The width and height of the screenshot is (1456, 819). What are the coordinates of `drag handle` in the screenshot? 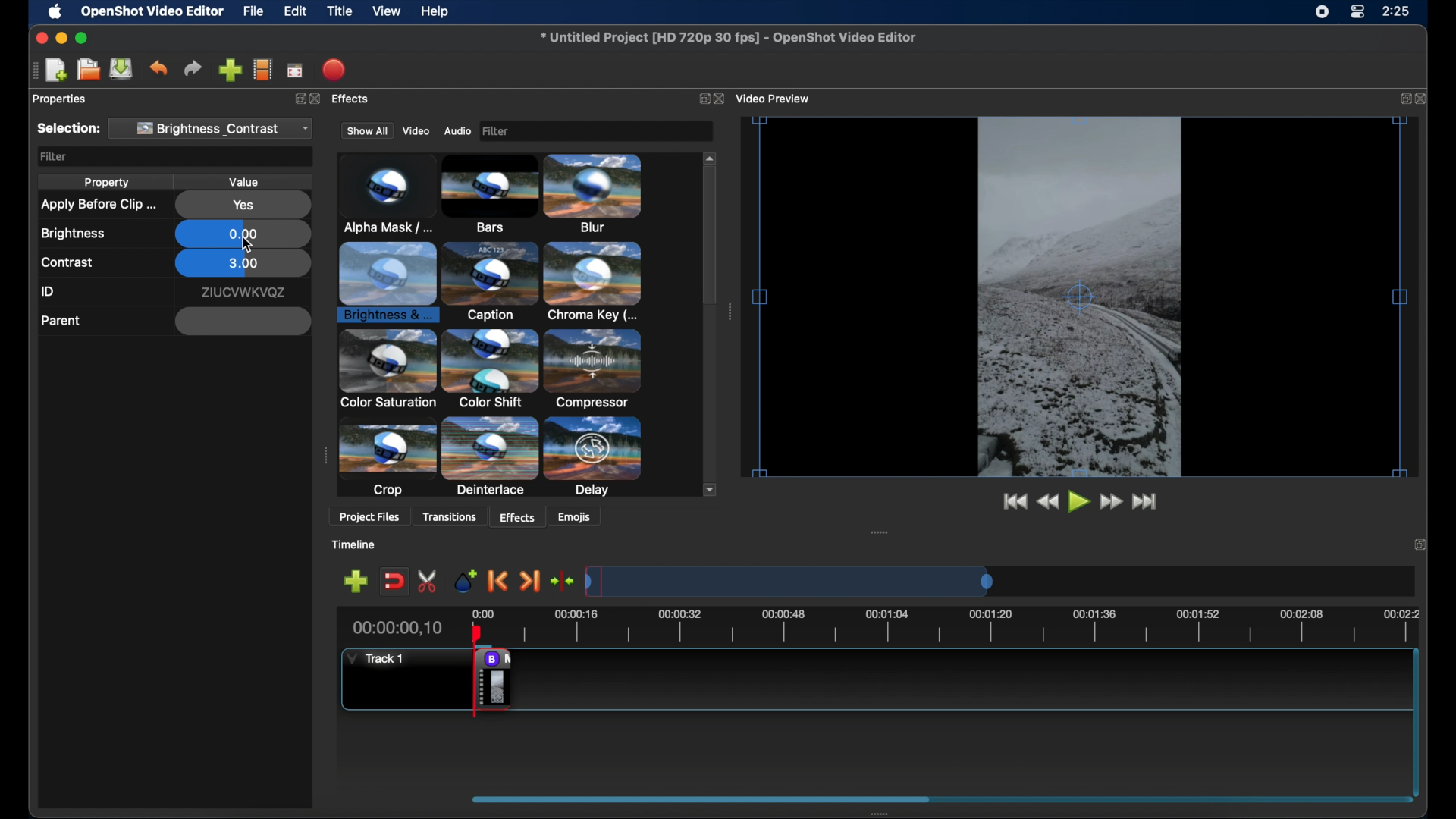 It's located at (324, 456).